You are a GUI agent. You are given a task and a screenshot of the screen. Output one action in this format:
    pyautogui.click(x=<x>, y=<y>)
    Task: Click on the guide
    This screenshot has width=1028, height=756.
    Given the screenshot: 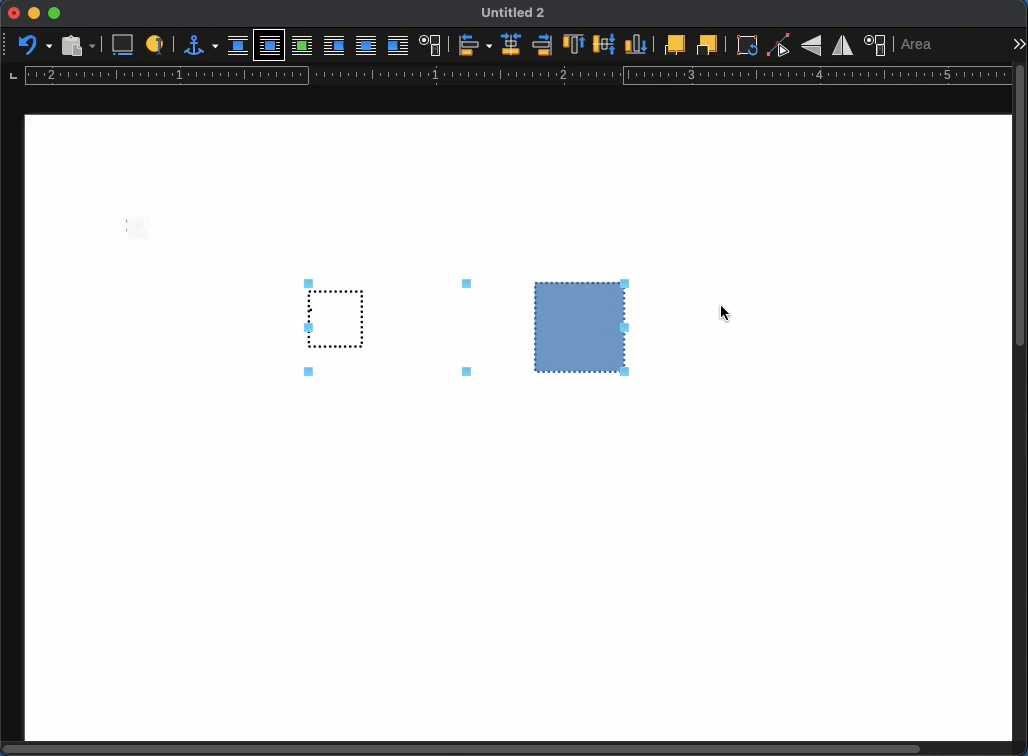 What is the action you would take?
    pyautogui.click(x=518, y=75)
    